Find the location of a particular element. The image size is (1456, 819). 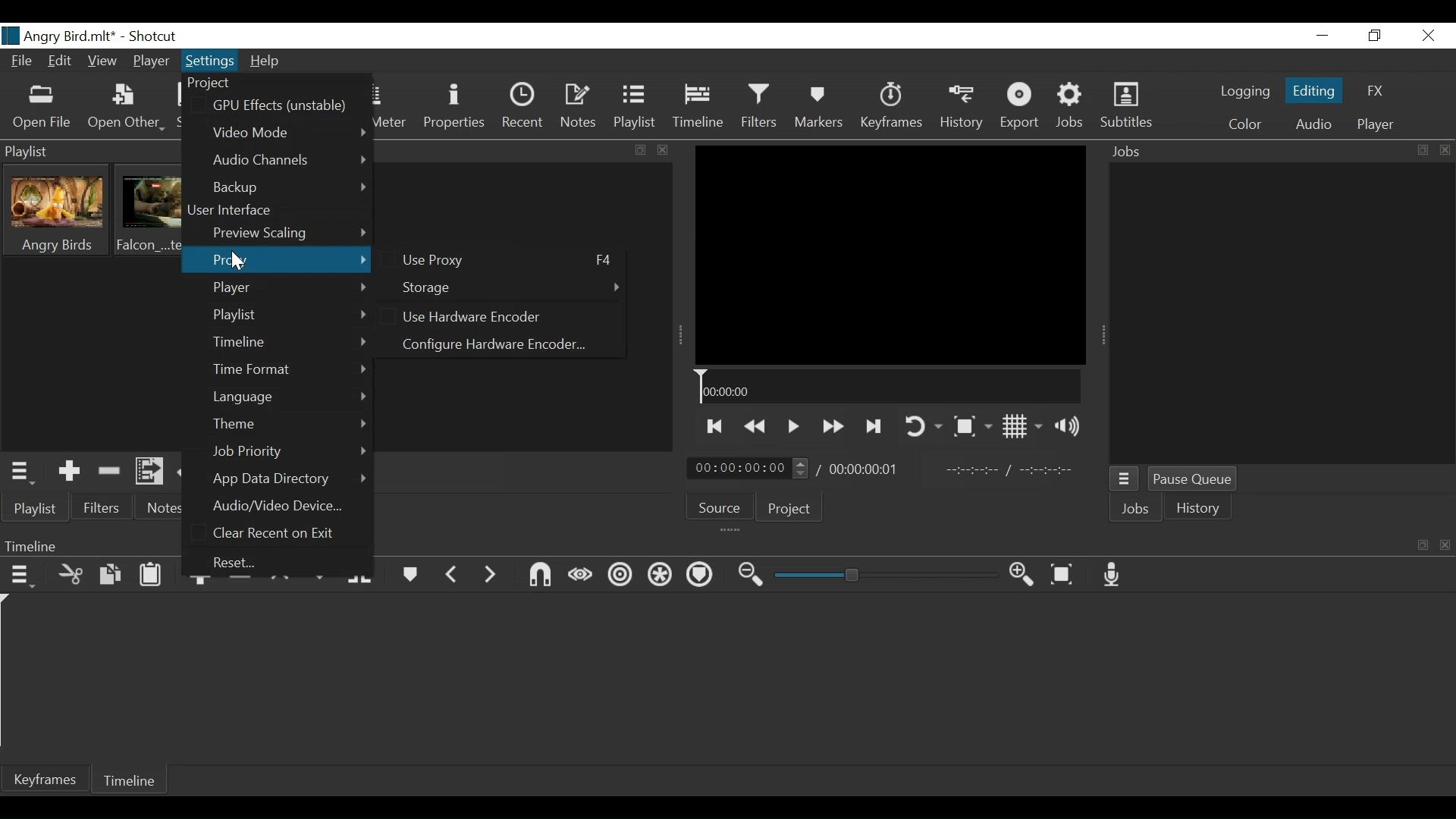

Overwrite is located at coordinates (321, 576).